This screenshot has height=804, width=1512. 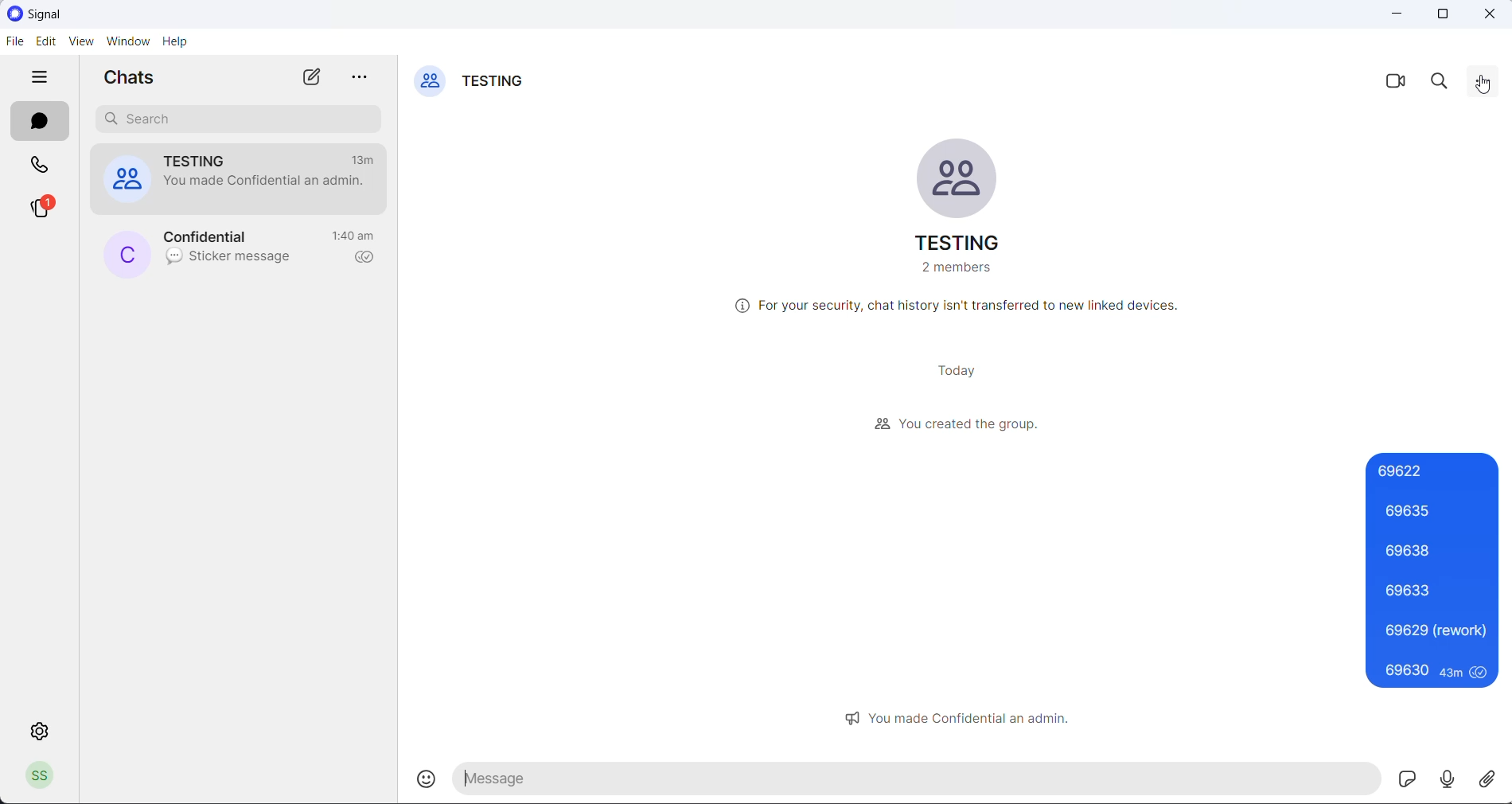 I want to click on group name, so click(x=497, y=84).